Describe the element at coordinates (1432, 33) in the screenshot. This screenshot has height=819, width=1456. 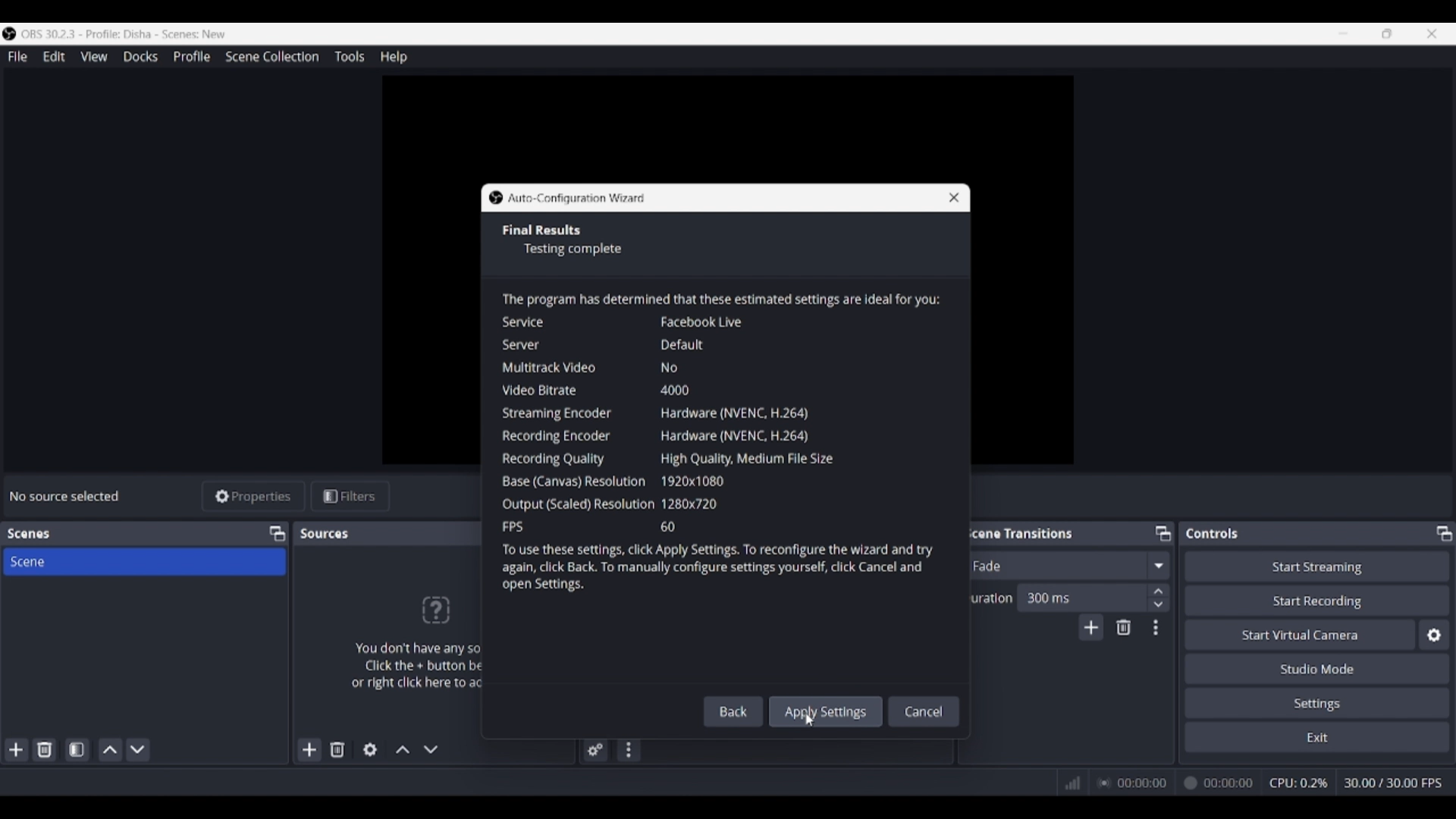
I see `Close interface` at that location.